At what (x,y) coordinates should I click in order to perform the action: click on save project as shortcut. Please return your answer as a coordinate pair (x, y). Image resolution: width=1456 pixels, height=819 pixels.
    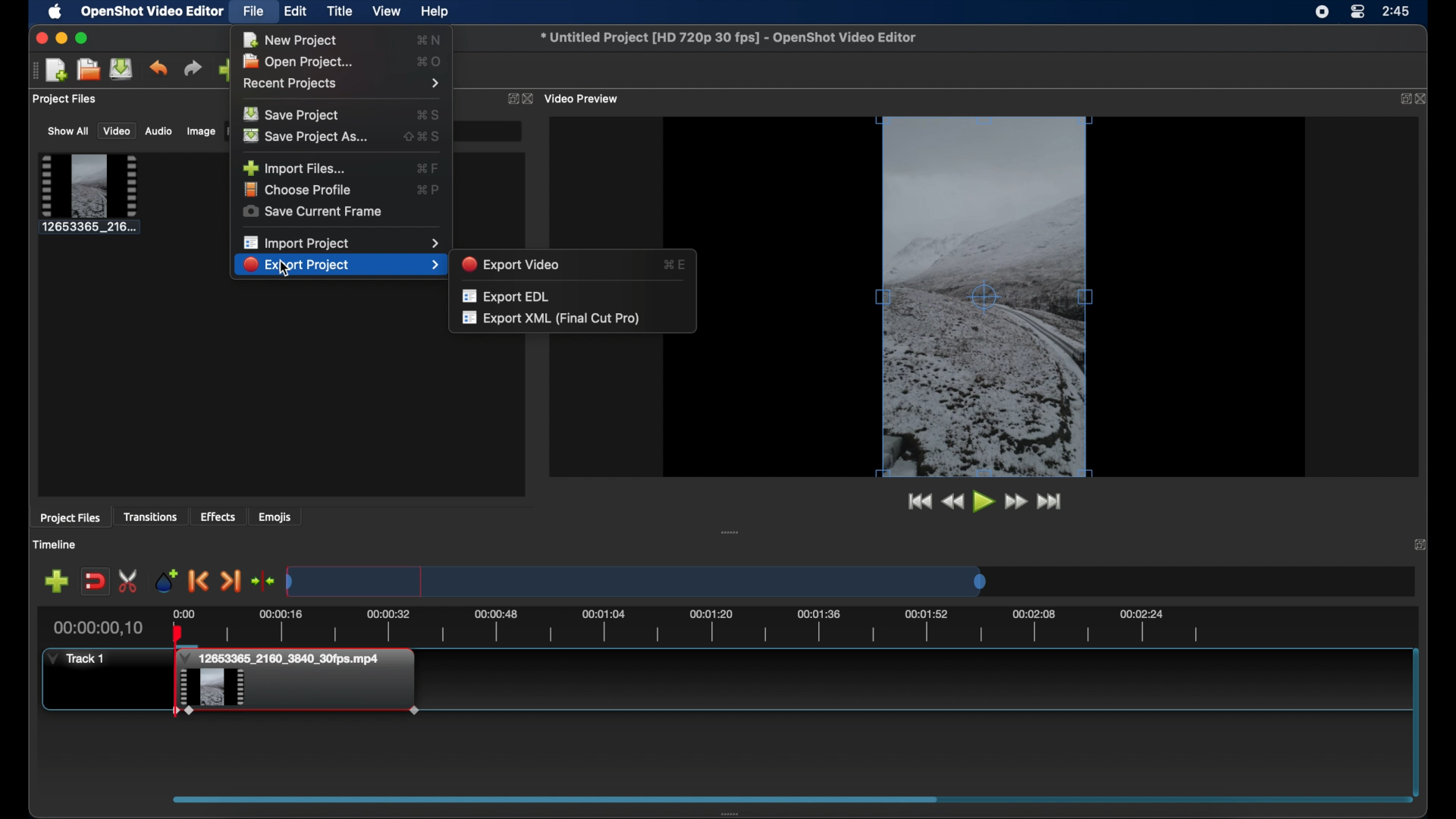
    Looking at the image, I should click on (423, 136).